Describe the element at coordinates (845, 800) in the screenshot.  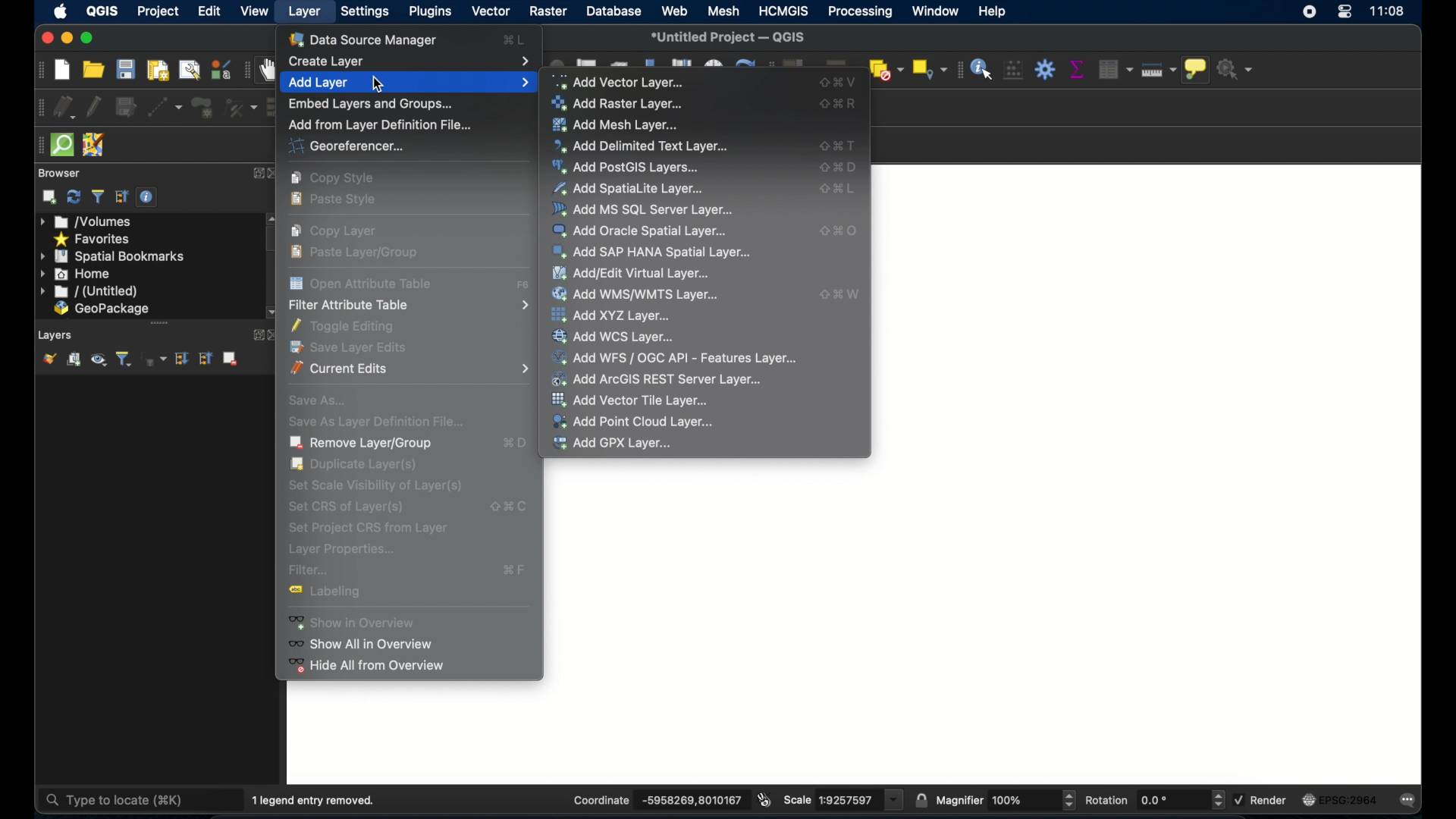
I see `scale` at that location.